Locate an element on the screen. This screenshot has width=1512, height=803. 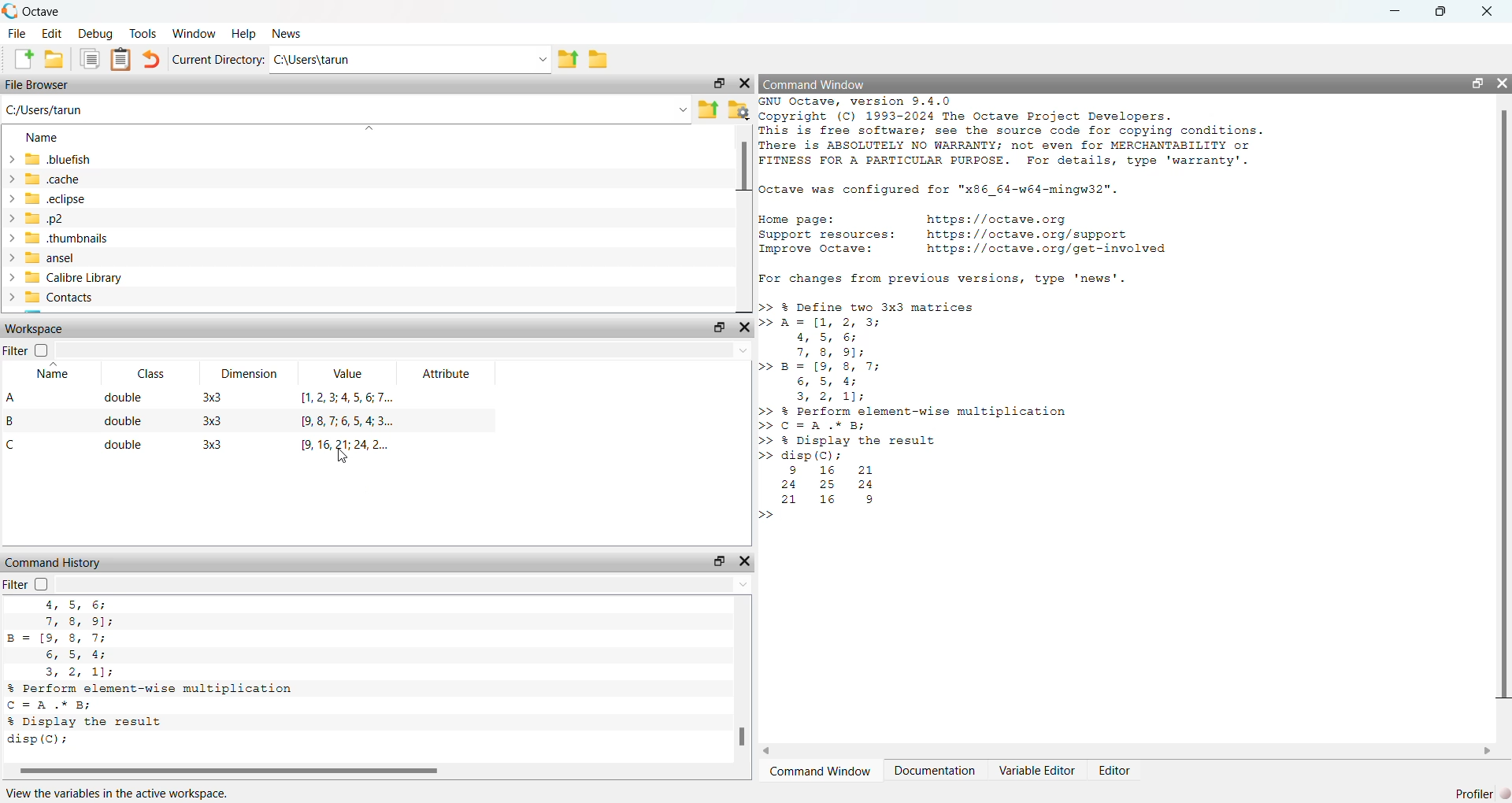
Restore Down is located at coordinates (1443, 12).